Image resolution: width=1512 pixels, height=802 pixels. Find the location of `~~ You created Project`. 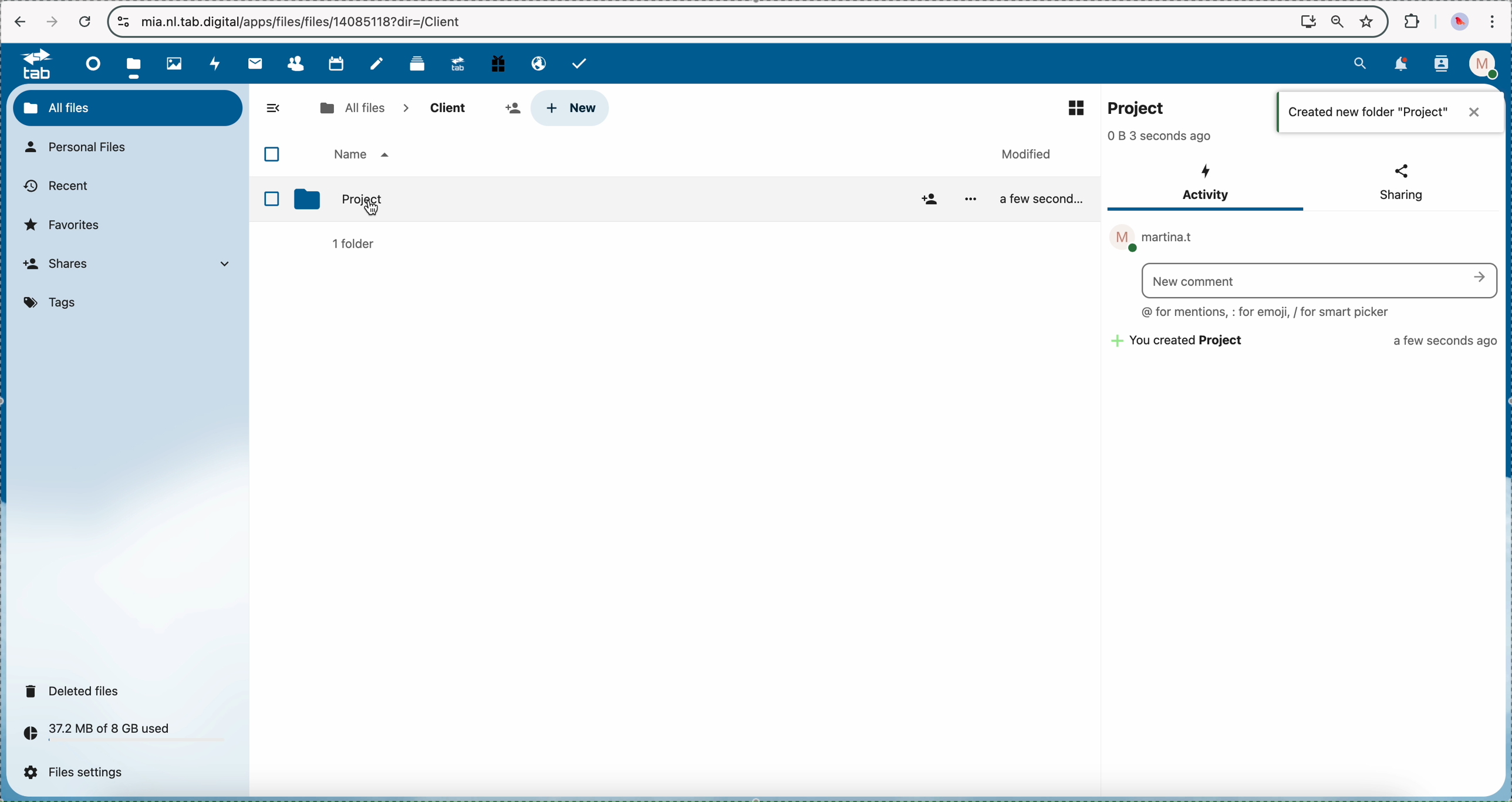

~~ You created Project is located at coordinates (1177, 339).